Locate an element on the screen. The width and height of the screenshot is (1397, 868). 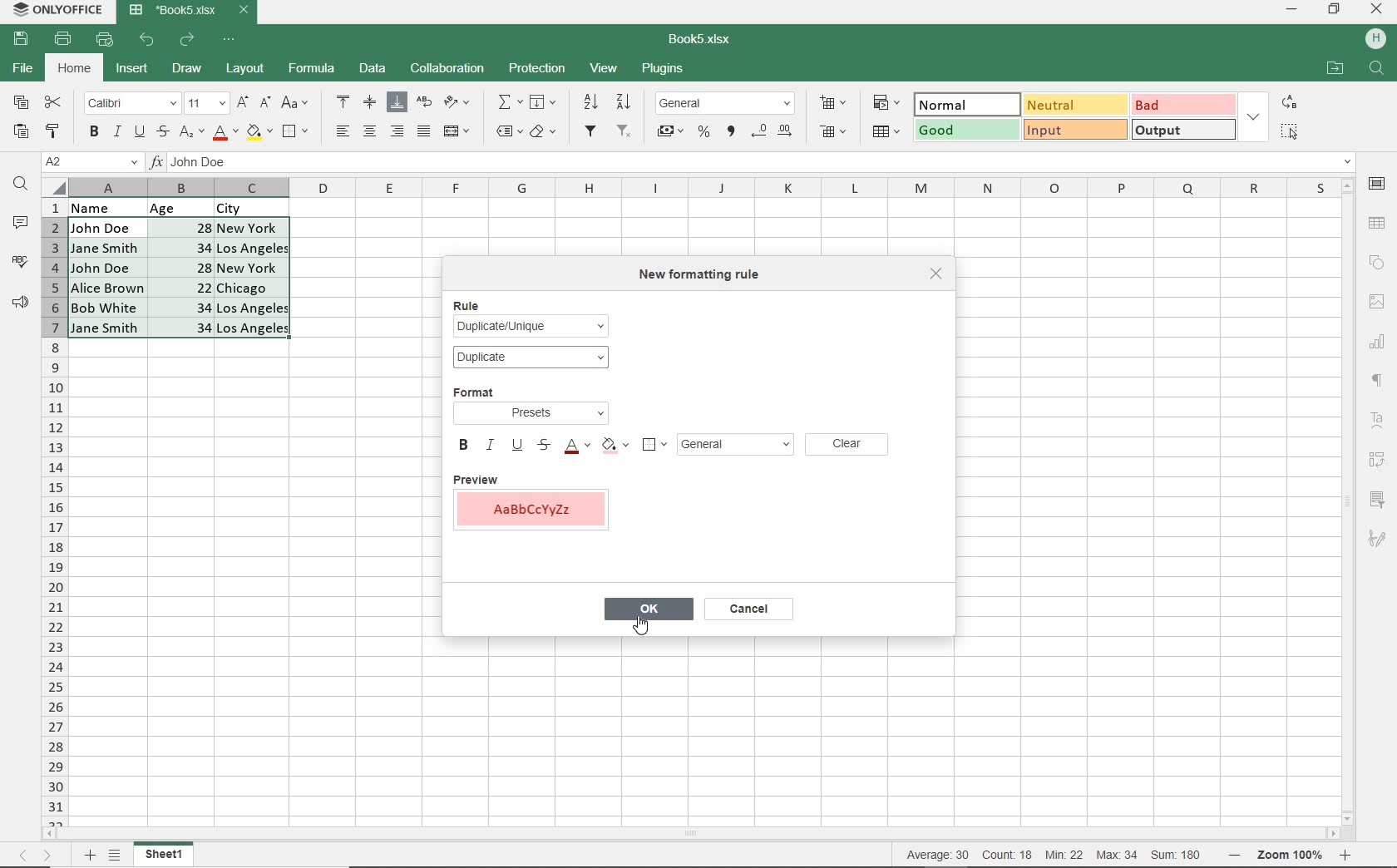
DECREMENT FONT SIZE is located at coordinates (265, 101).